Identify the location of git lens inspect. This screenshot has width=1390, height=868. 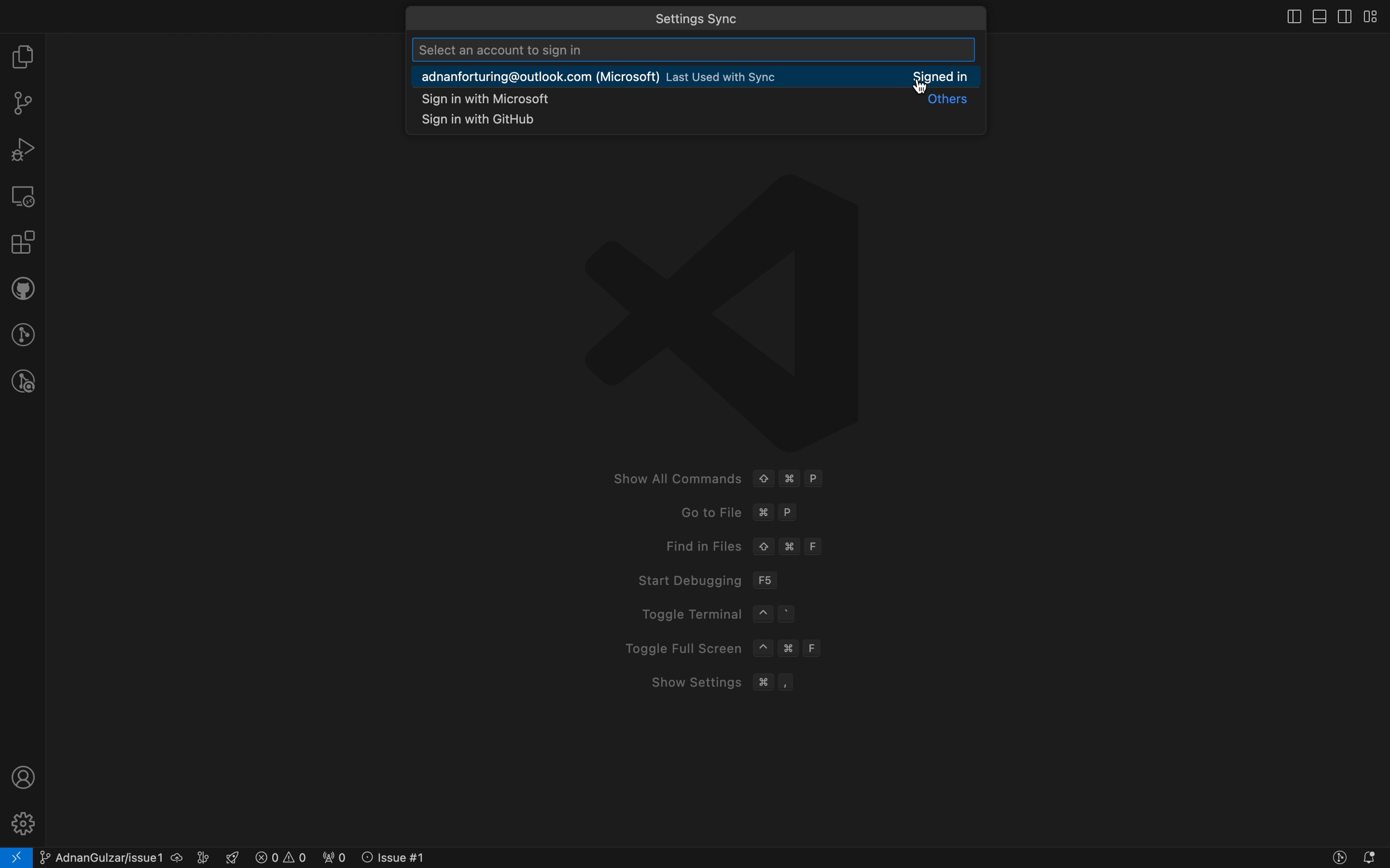
(20, 382).